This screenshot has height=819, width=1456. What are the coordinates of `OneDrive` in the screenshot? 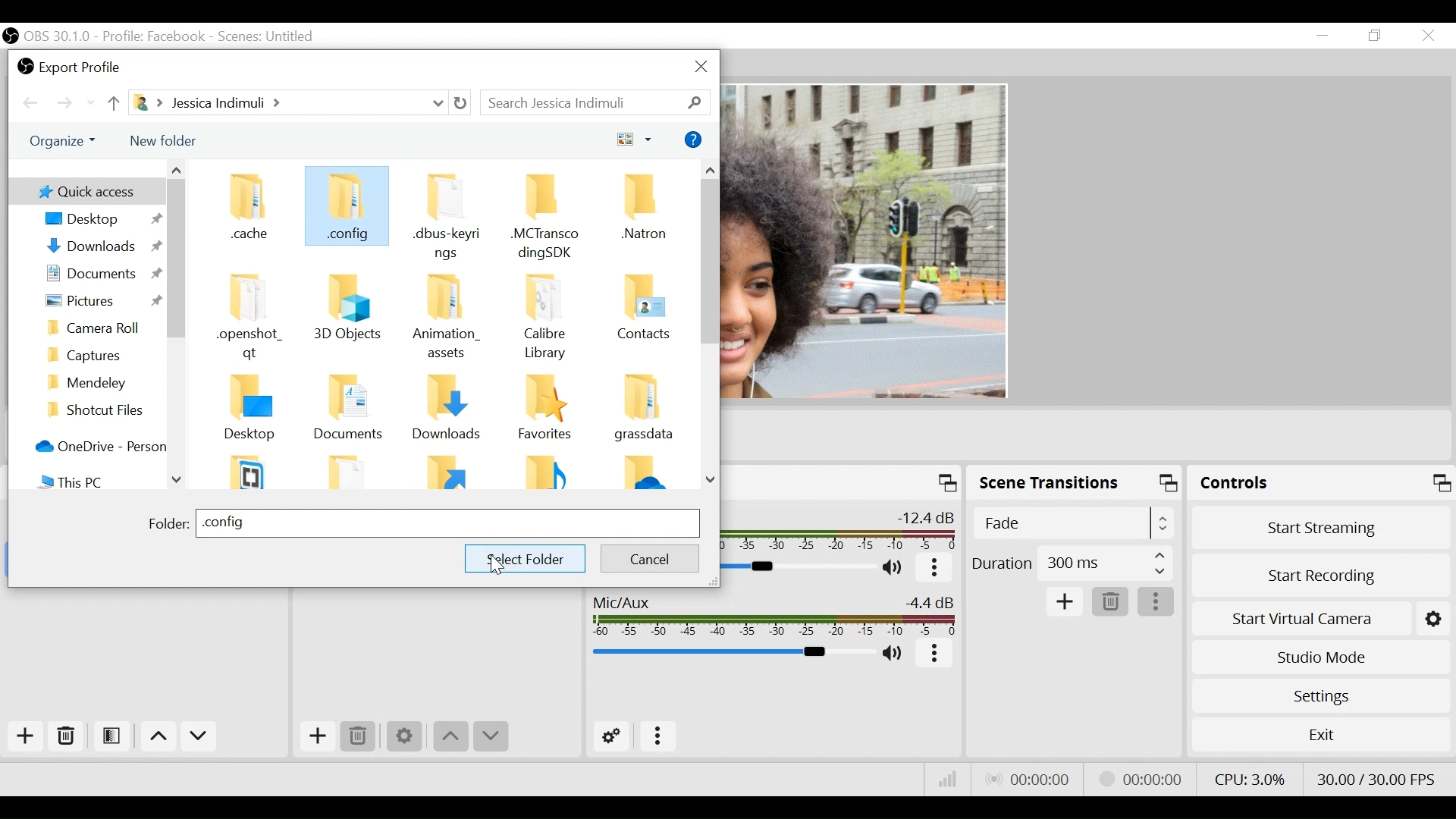 It's located at (97, 447).